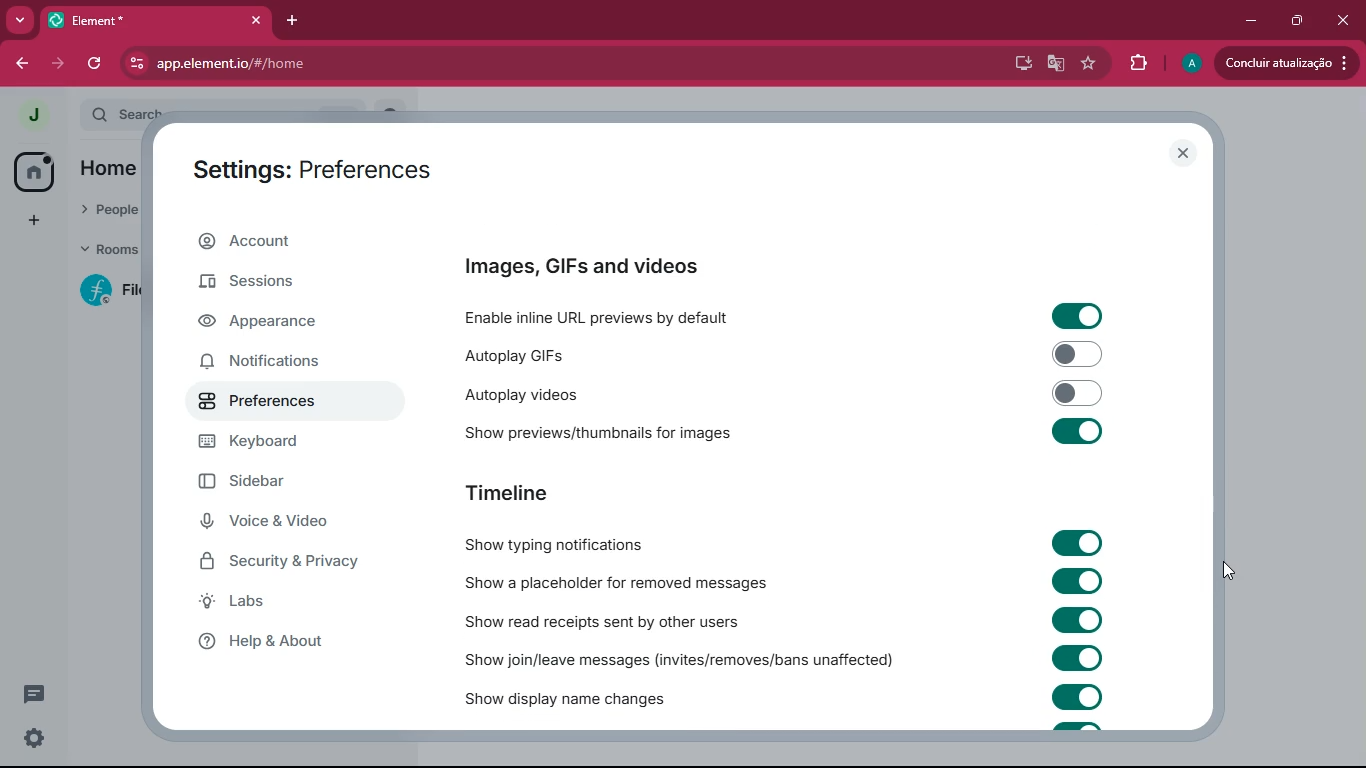 Image resolution: width=1366 pixels, height=768 pixels. What do you see at coordinates (1078, 620) in the screenshot?
I see `toggle on/off` at bounding box center [1078, 620].